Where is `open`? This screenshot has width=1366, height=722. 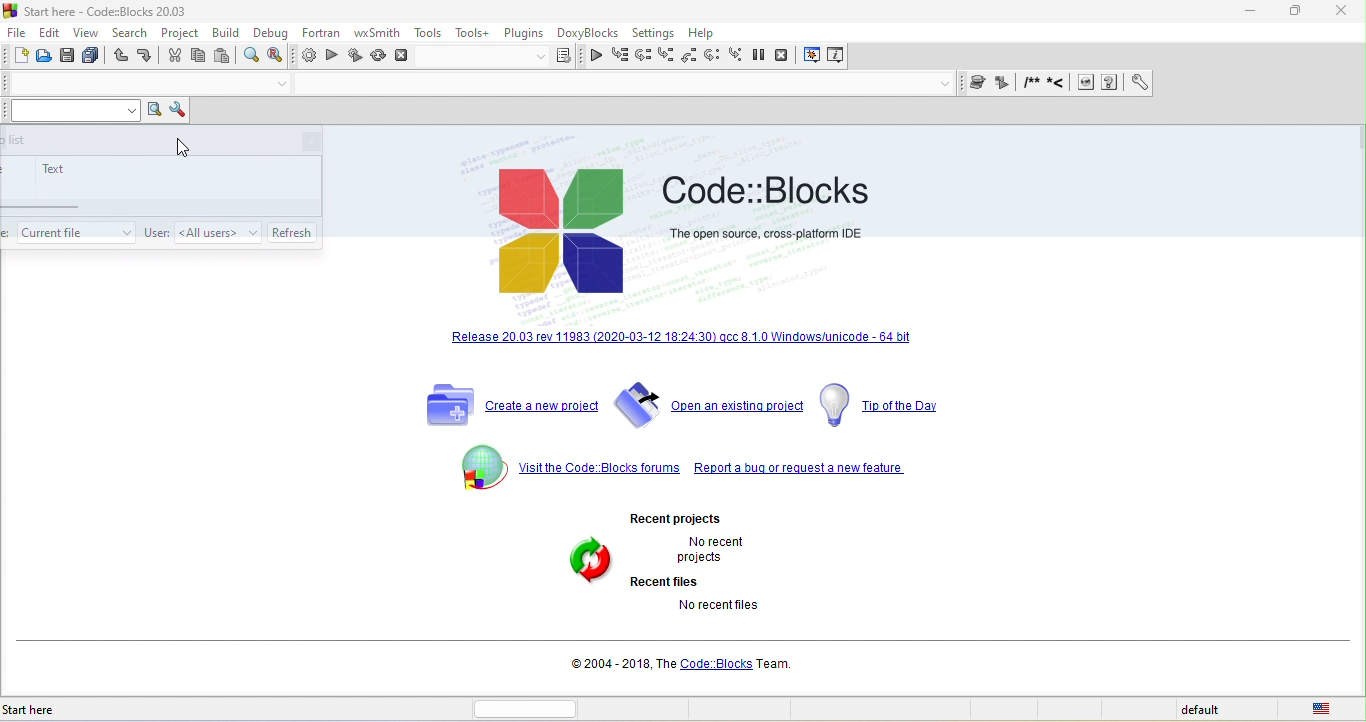 open is located at coordinates (46, 56).